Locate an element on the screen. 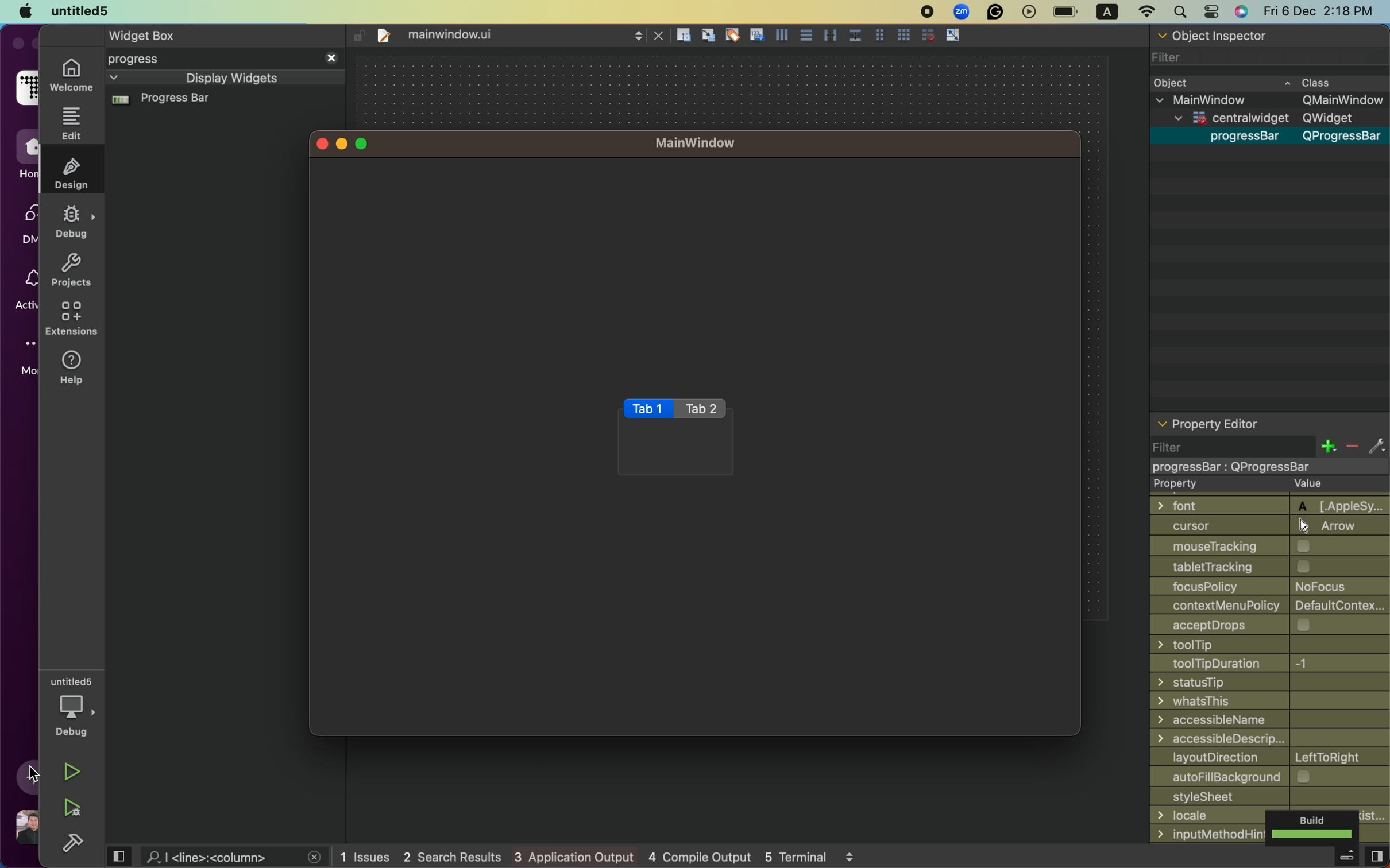 The width and height of the screenshot is (1390, 868). wifi is located at coordinates (1147, 12).